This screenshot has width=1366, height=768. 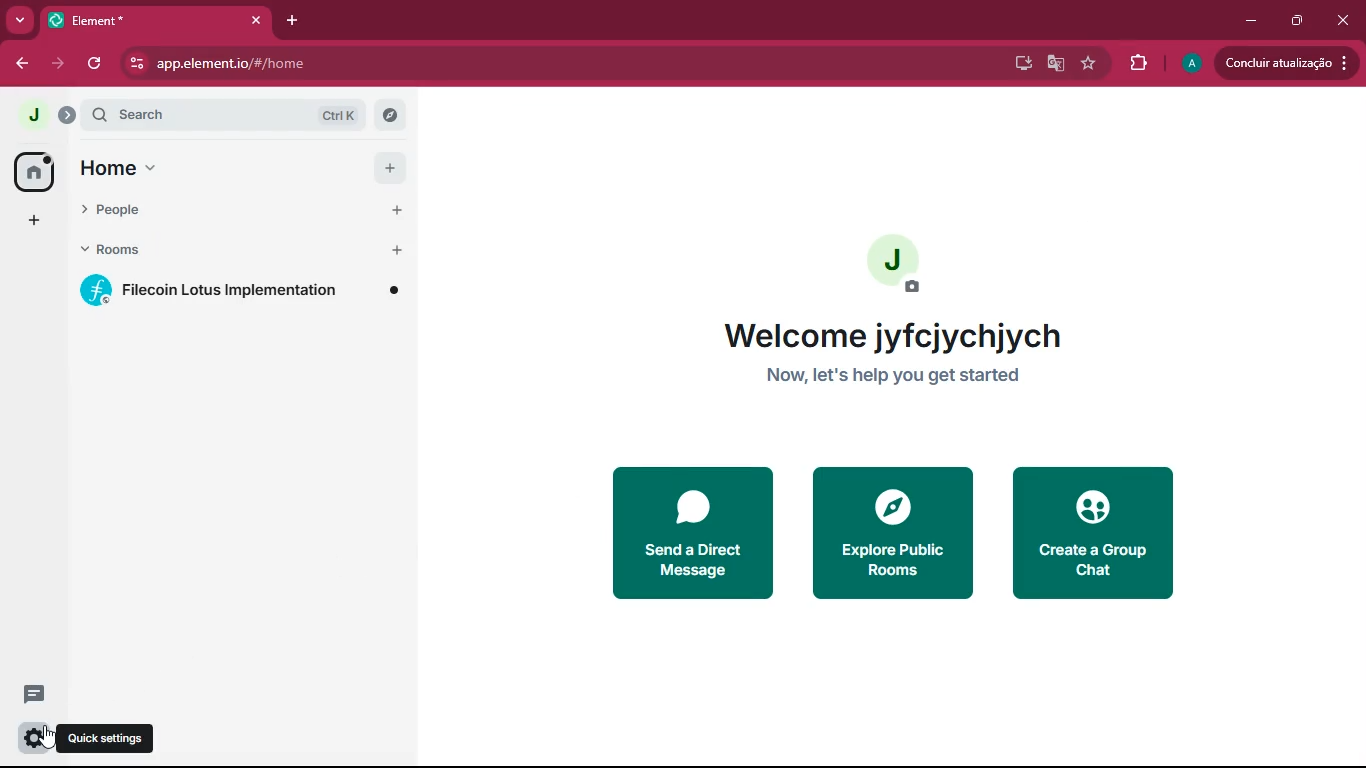 What do you see at coordinates (46, 740) in the screenshot?
I see `cursor` at bounding box center [46, 740].